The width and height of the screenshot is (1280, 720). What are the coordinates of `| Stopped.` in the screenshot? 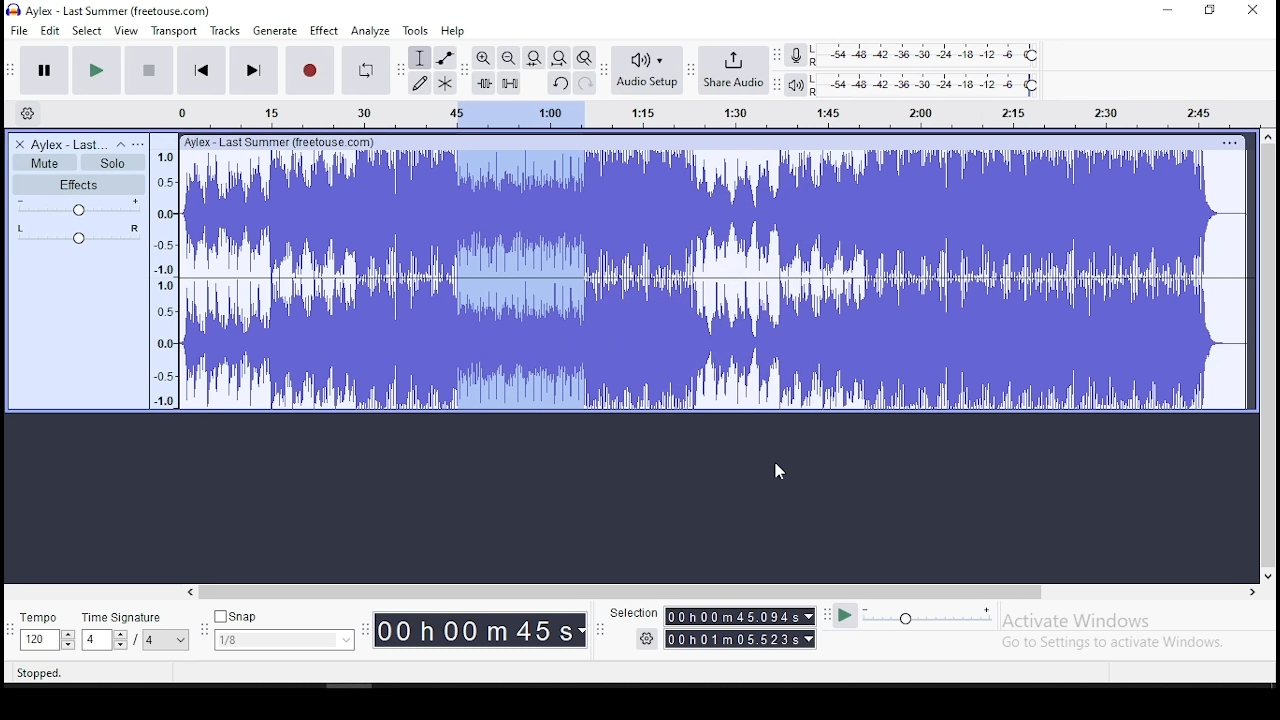 It's located at (31, 672).